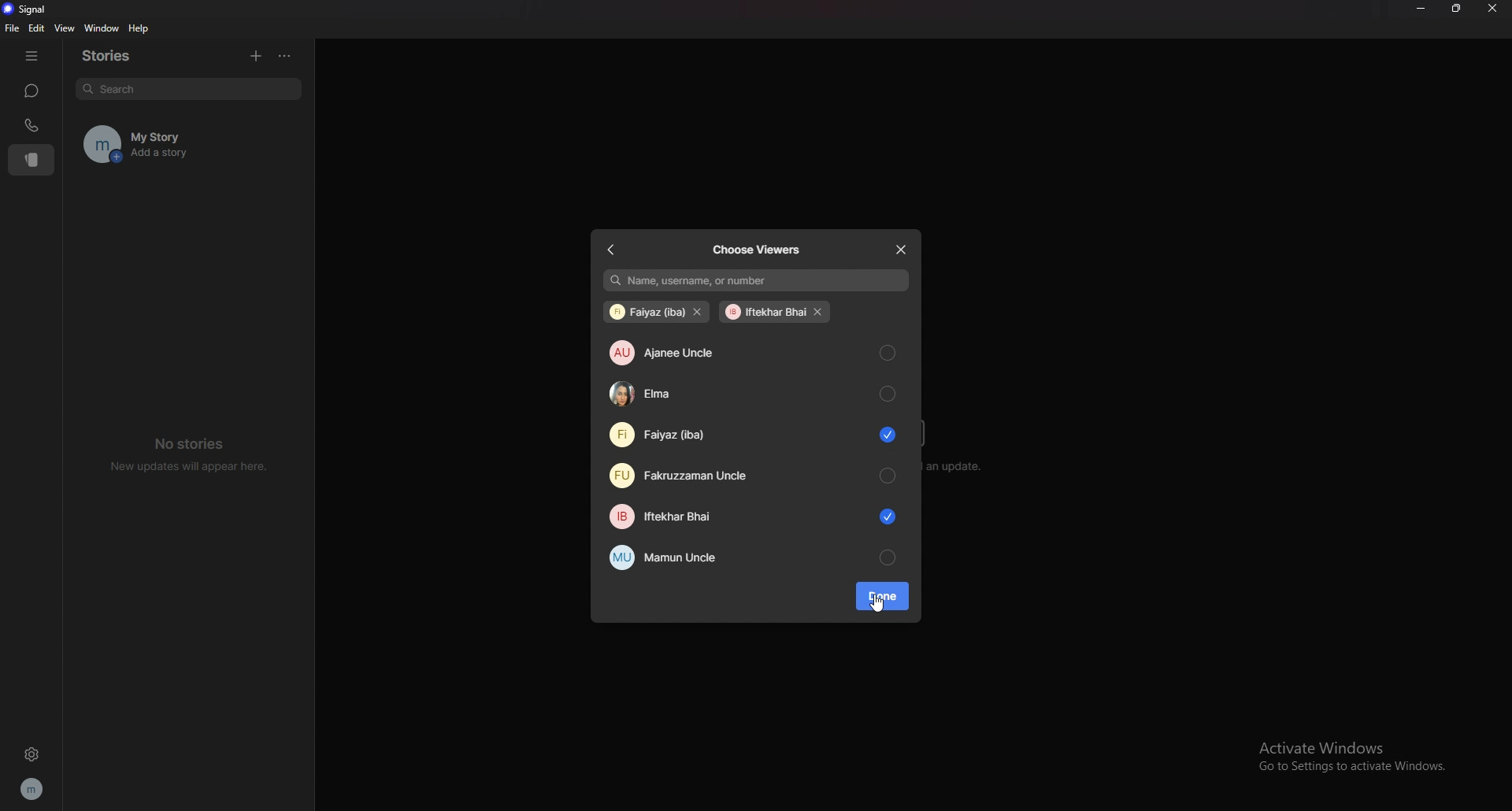 Image resolution: width=1512 pixels, height=811 pixels. I want to click on hide tab, so click(31, 56).